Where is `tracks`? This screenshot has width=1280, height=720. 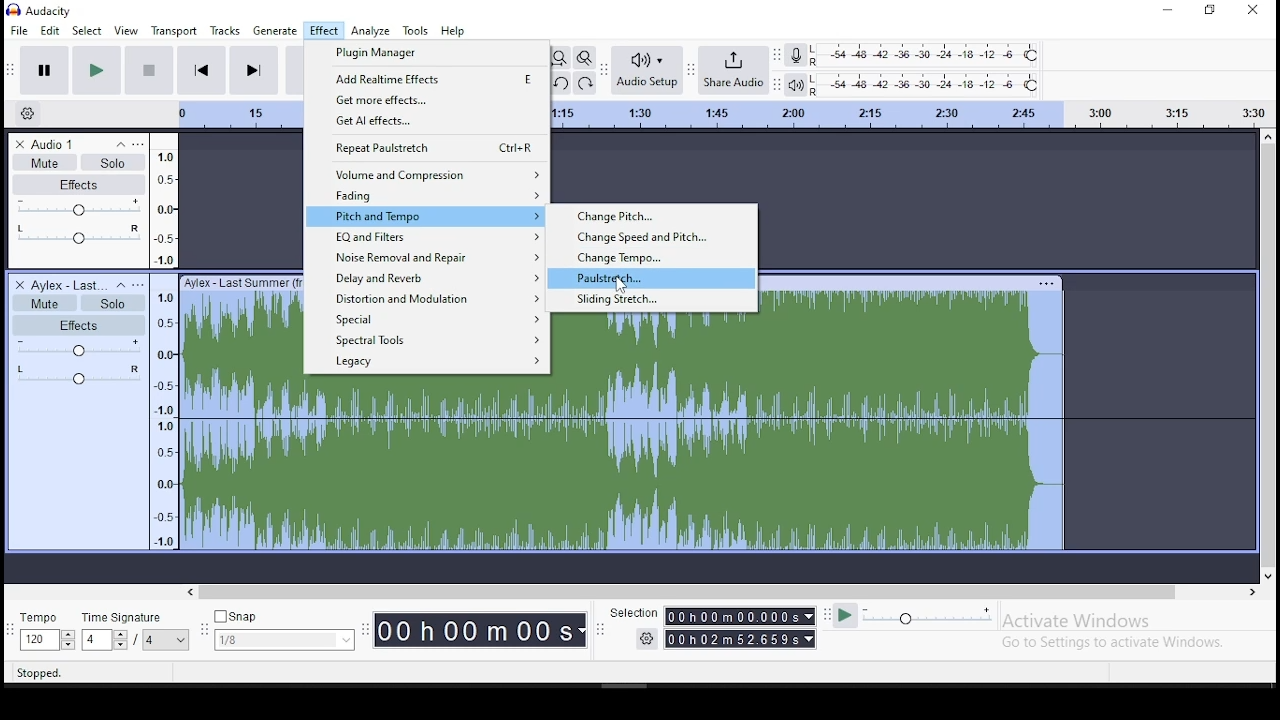
tracks is located at coordinates (225, 30).